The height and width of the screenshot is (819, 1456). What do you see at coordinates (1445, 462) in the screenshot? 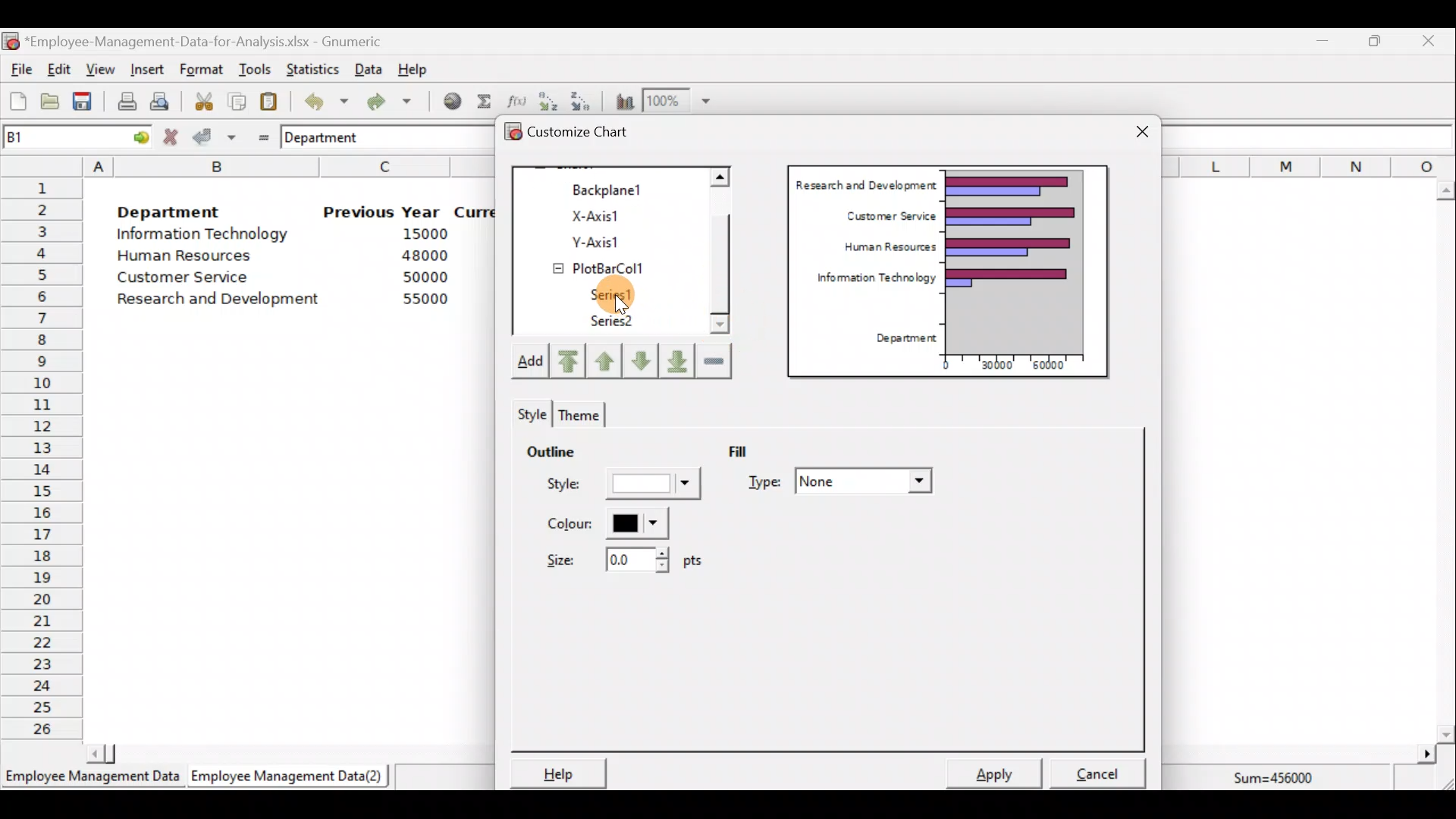
I see `Scroll bar` at bounding box center [1445, 462].